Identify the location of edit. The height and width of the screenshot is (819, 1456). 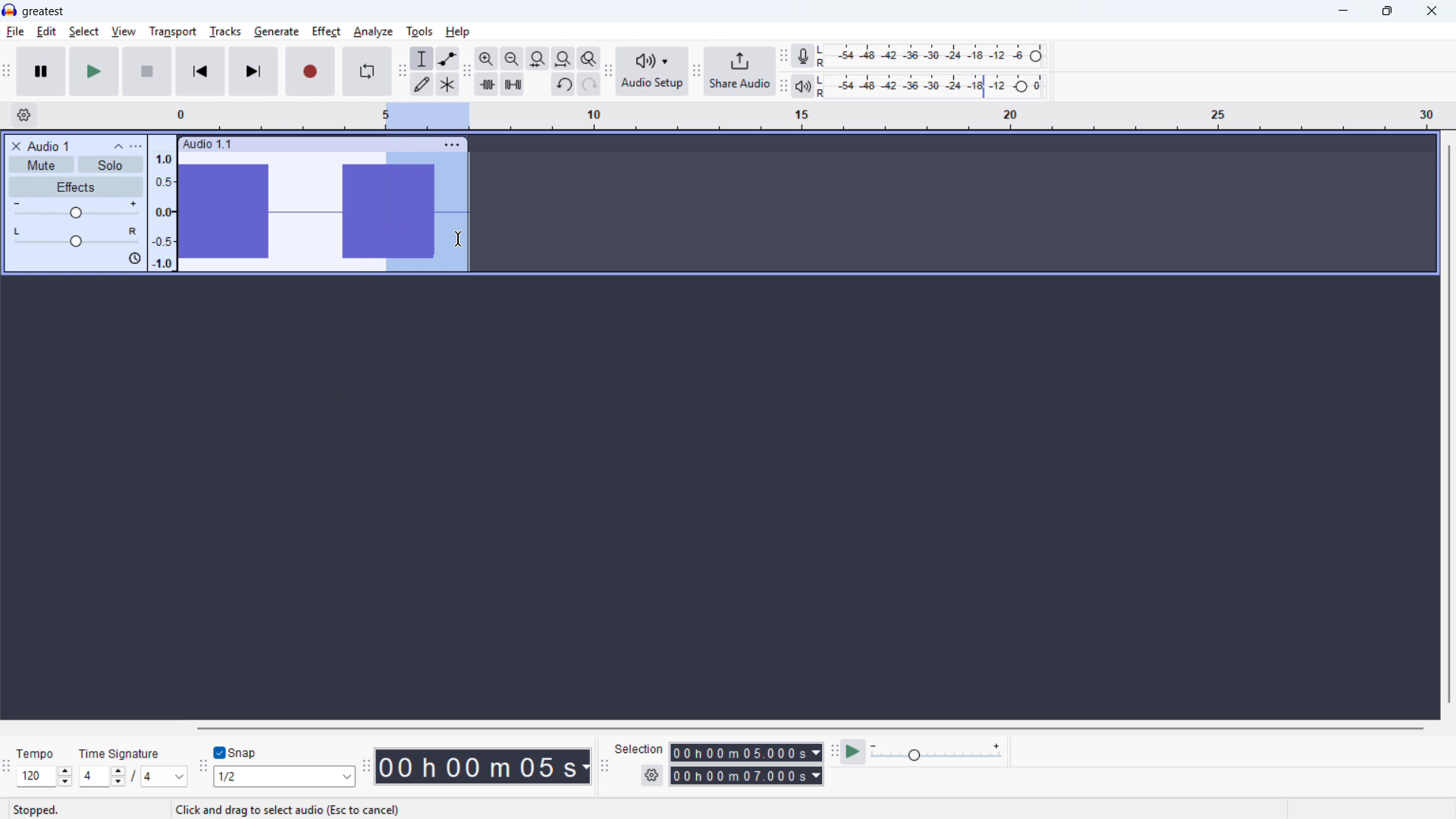
(46, 32).